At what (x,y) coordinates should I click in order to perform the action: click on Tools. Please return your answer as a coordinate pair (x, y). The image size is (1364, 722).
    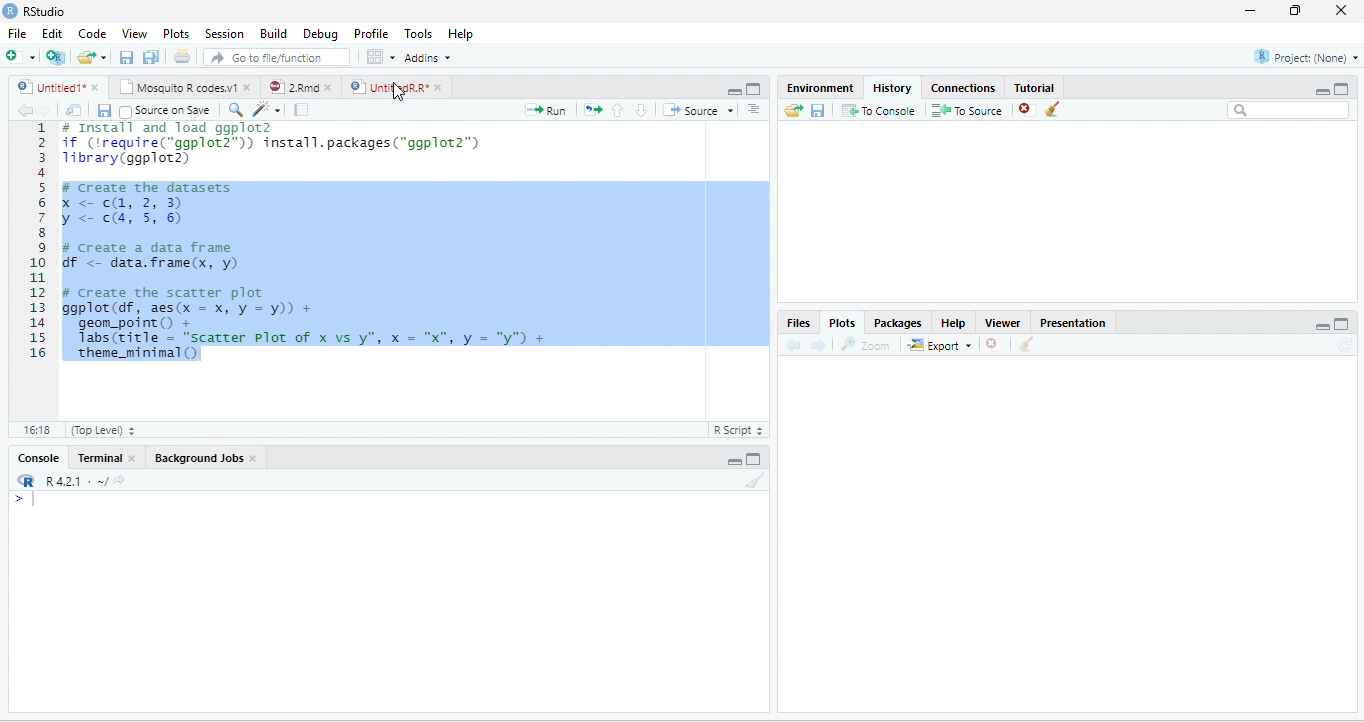
    Looking at the image, I should click on (419, 33).